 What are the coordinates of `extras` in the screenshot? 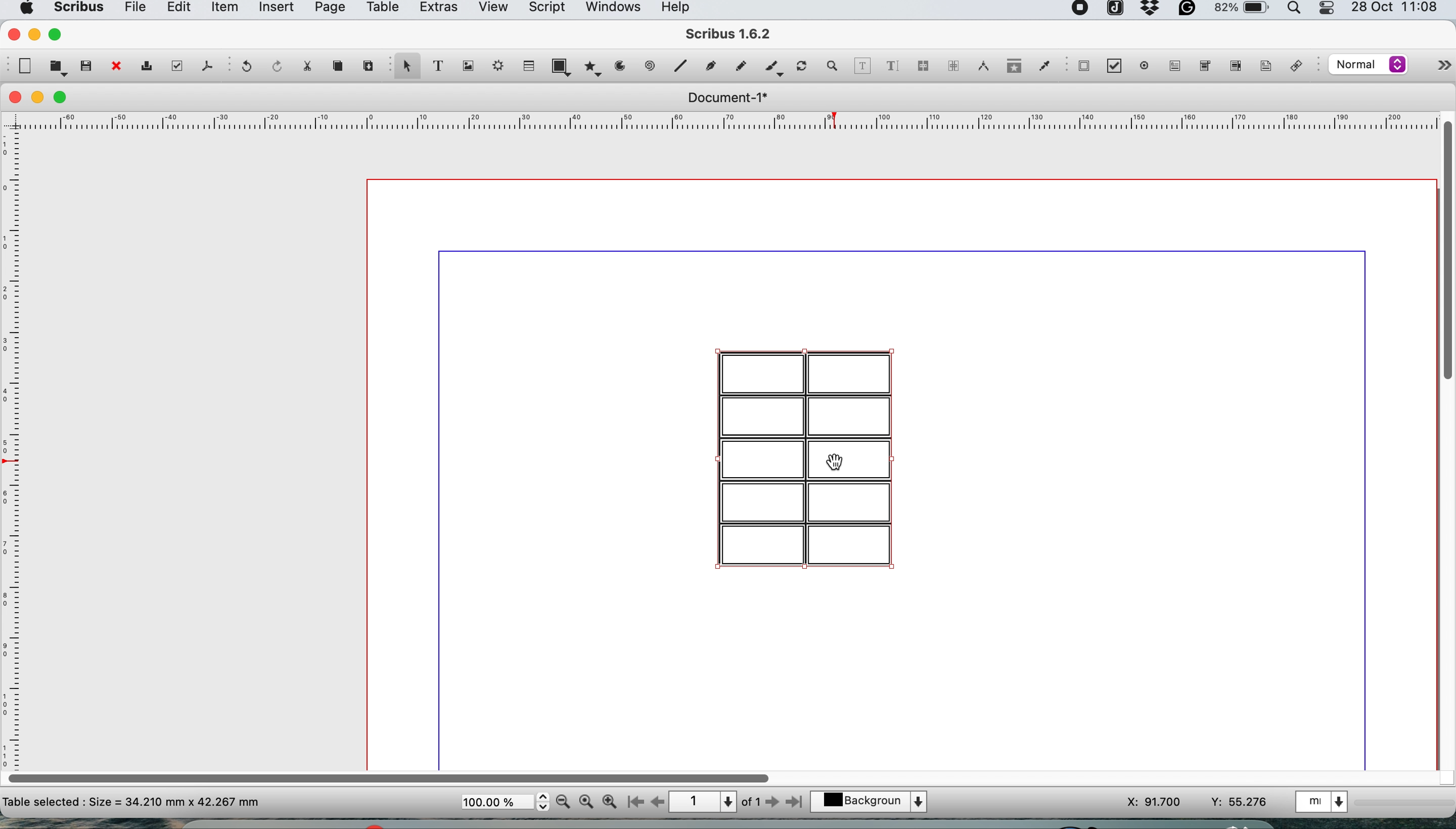 It's located at (438, 10).